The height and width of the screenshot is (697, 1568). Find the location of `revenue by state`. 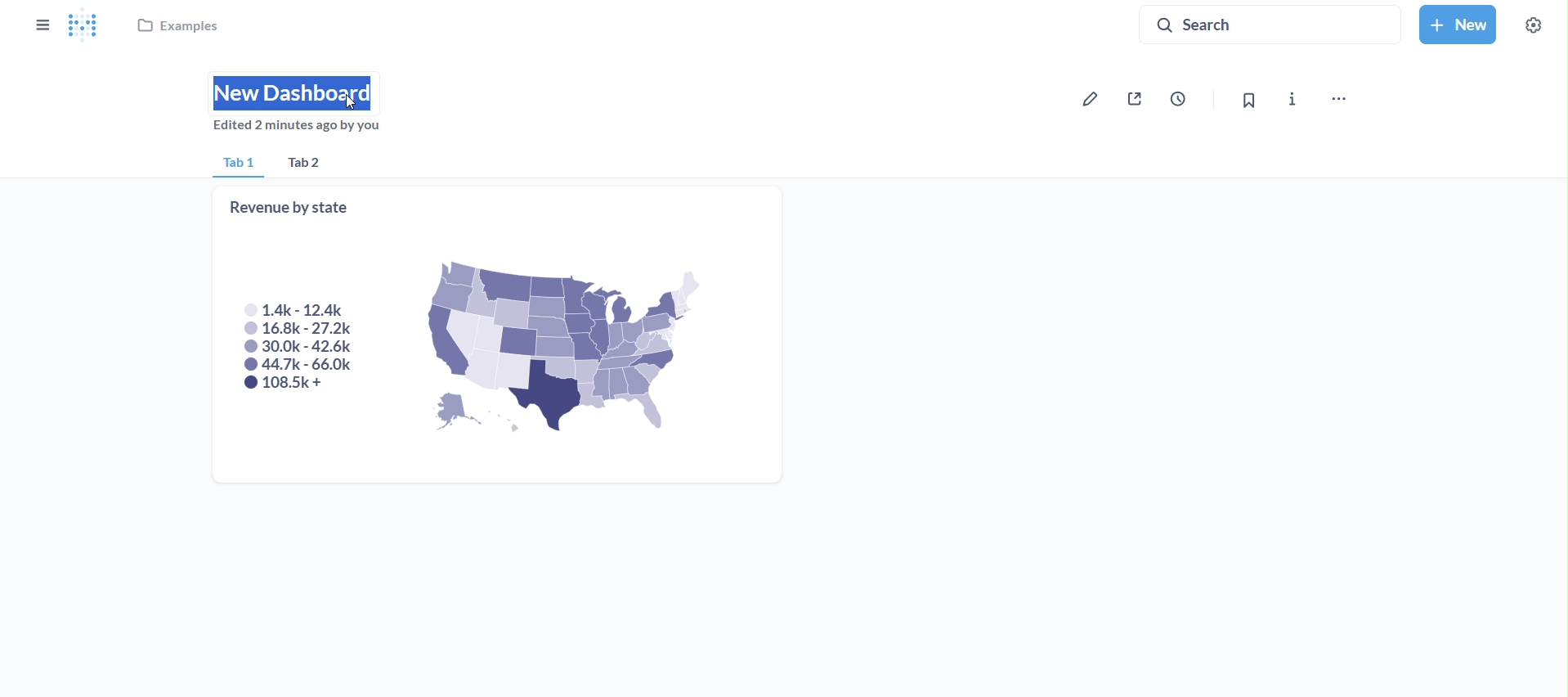

revenue by state is located at coordinates (498, 335).